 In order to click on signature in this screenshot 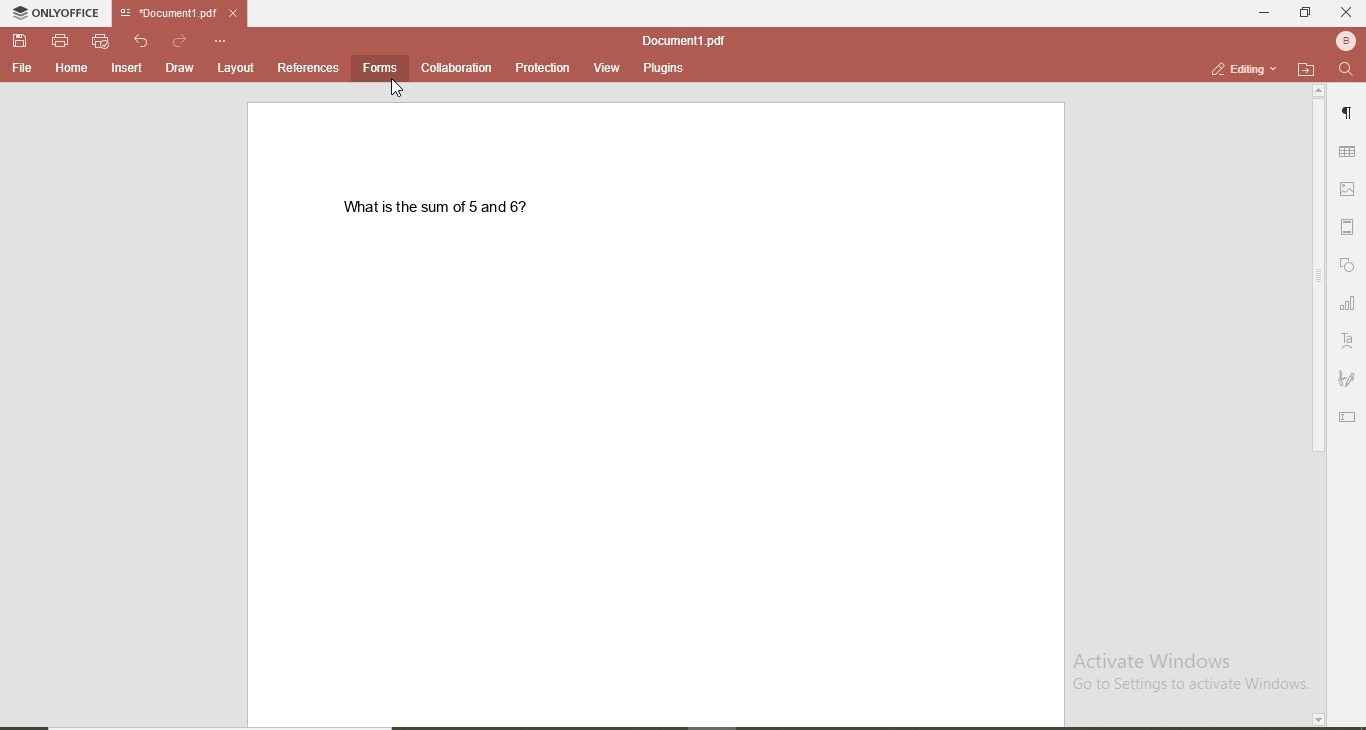, I will do `click(1349, 381)`.